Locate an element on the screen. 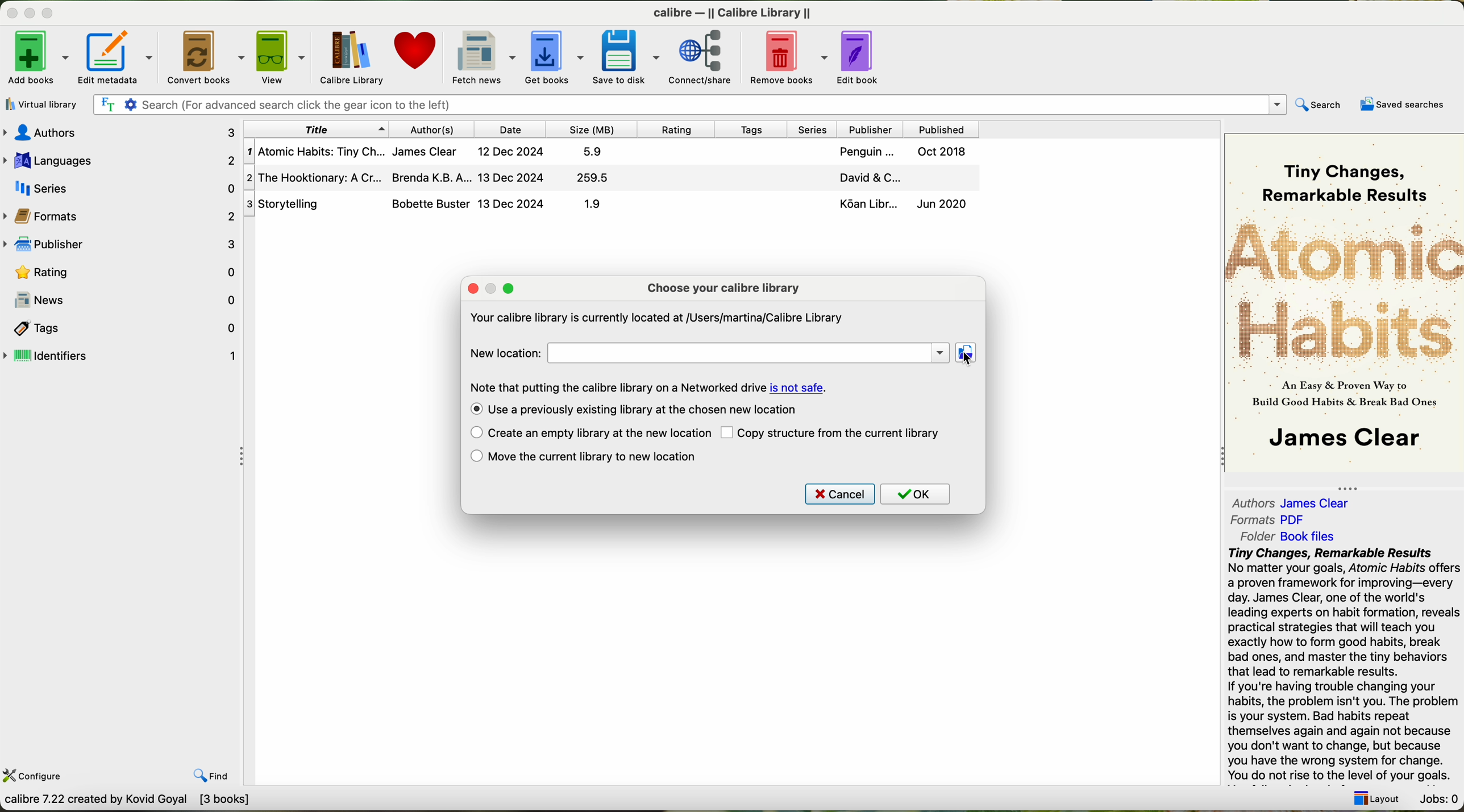 This screenshot has width=1464, height=812. donate is located at coordinates (414, 53).